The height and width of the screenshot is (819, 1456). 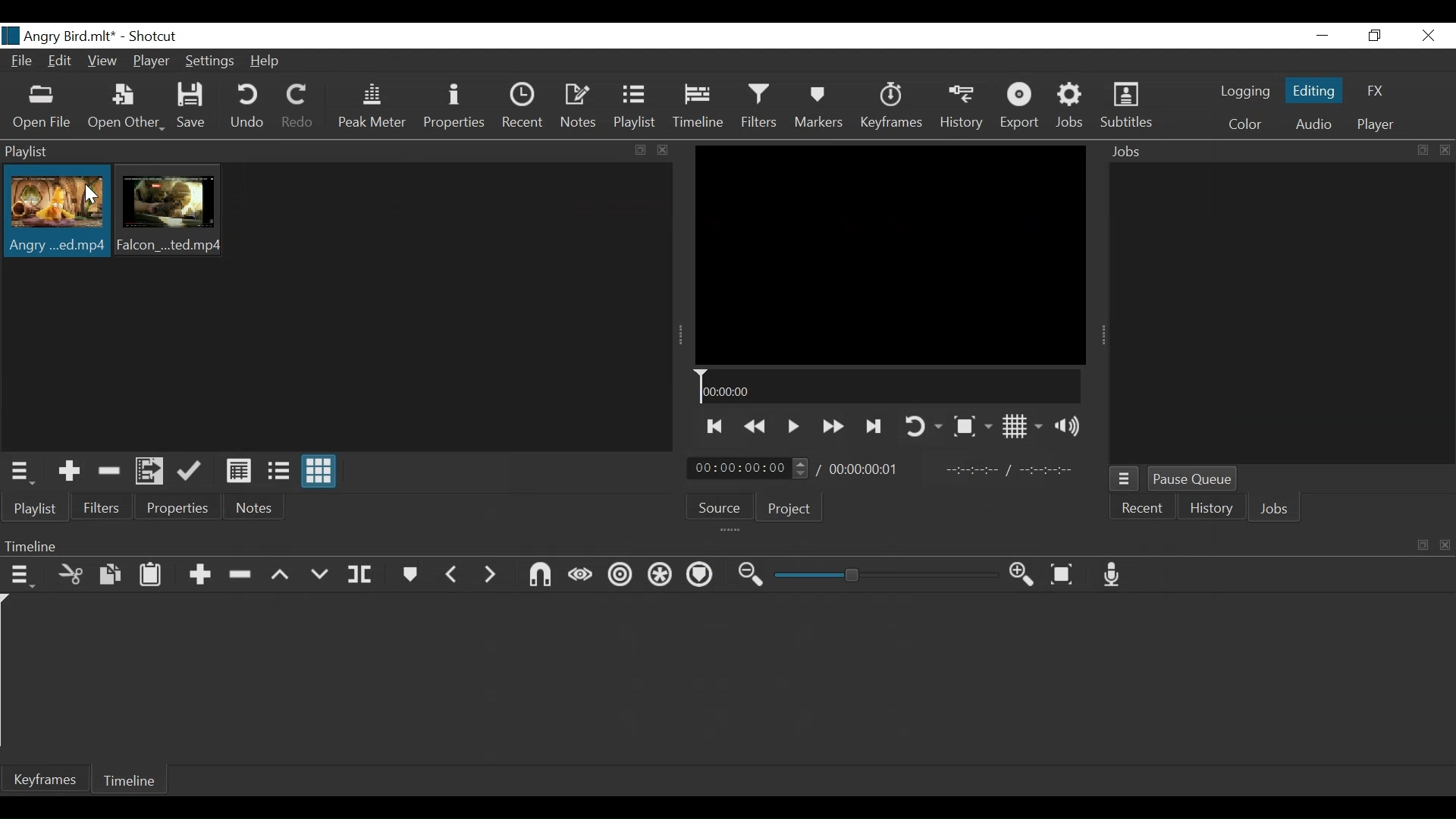 I want to click on Overwrite, so click(x=324, y=574).